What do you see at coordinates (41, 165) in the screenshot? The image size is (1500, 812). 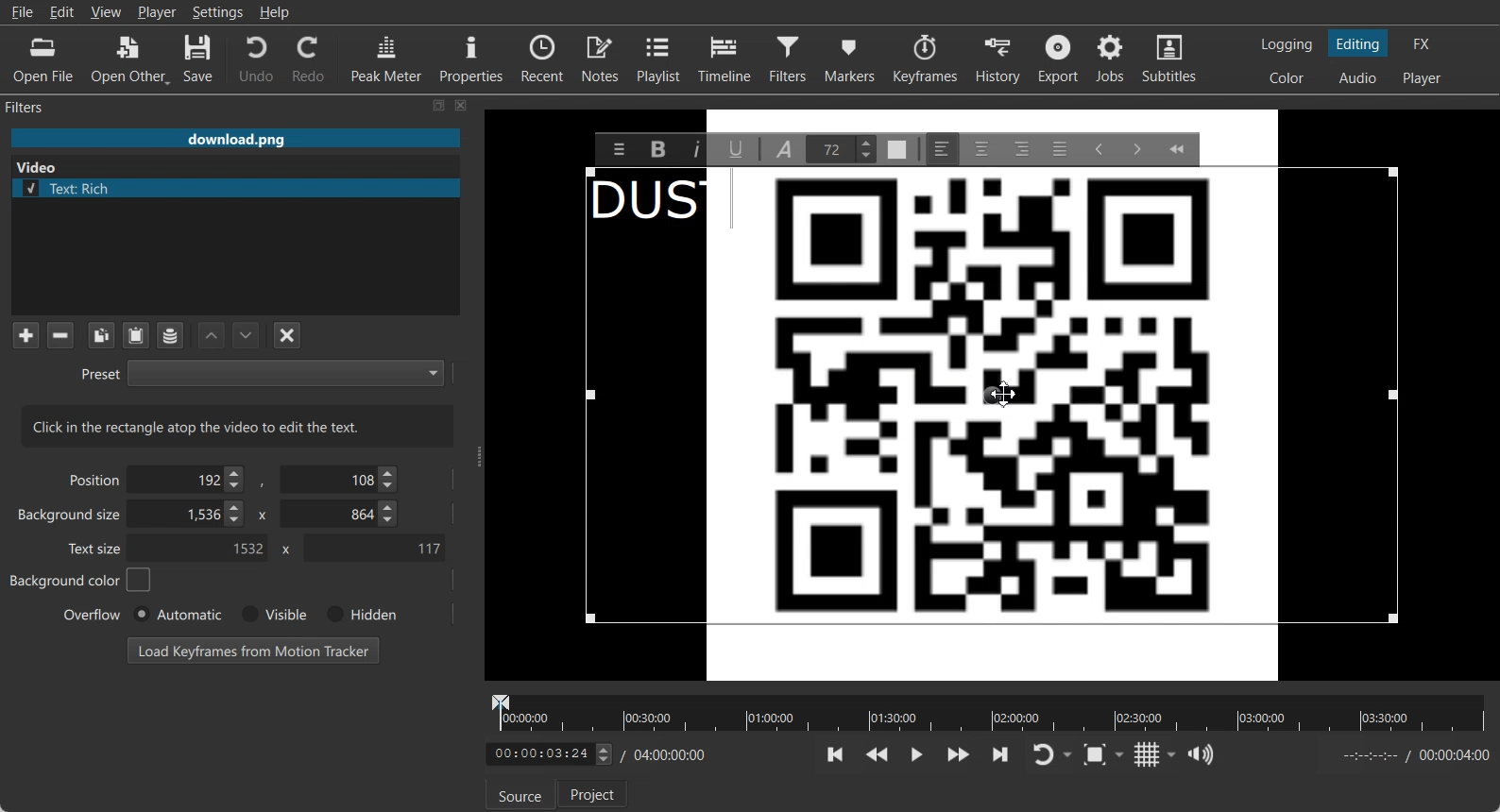 I see `Video` at bounding box center [41, 165].